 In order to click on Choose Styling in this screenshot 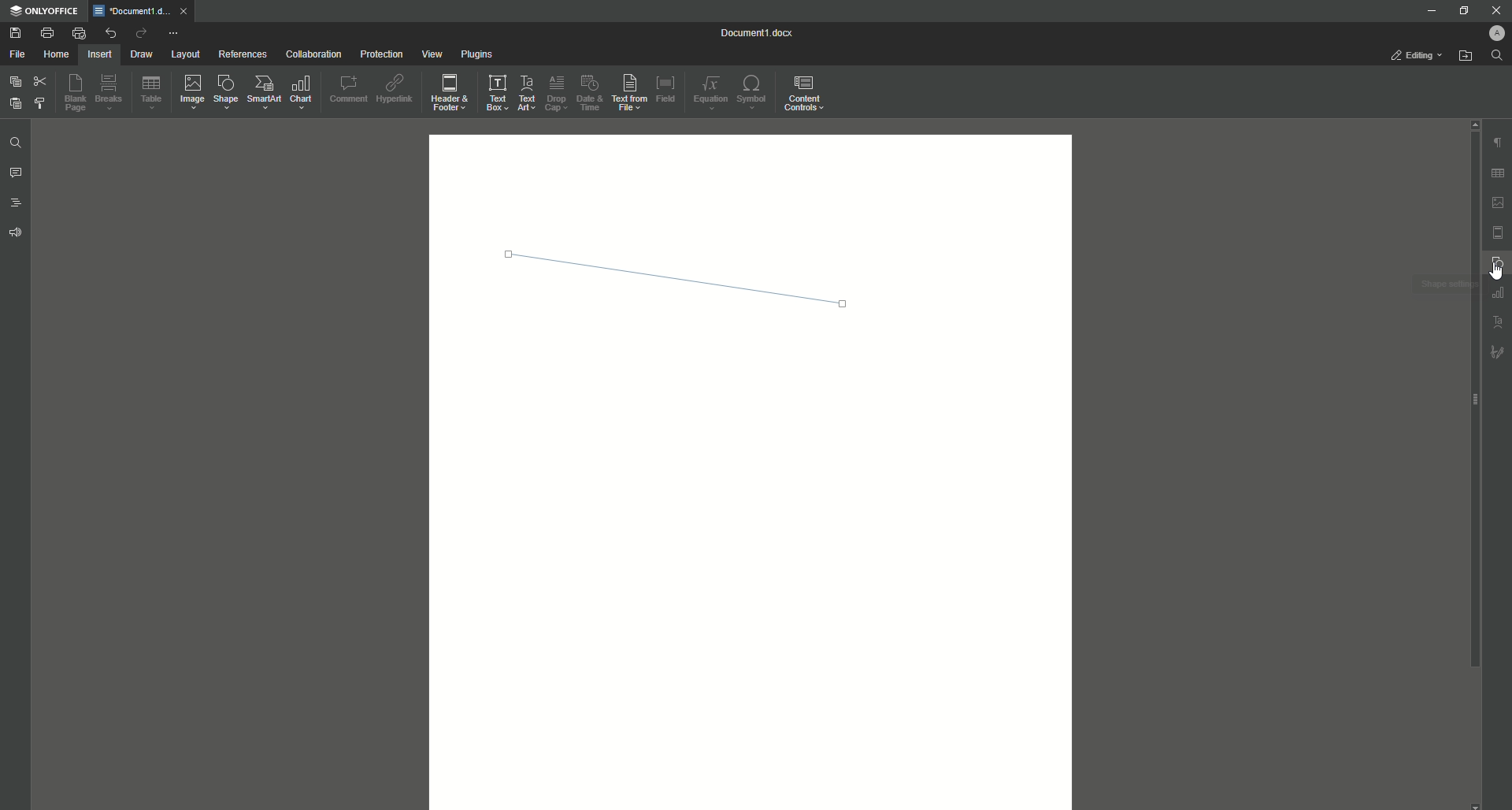, I will do `click(42, 105)`.